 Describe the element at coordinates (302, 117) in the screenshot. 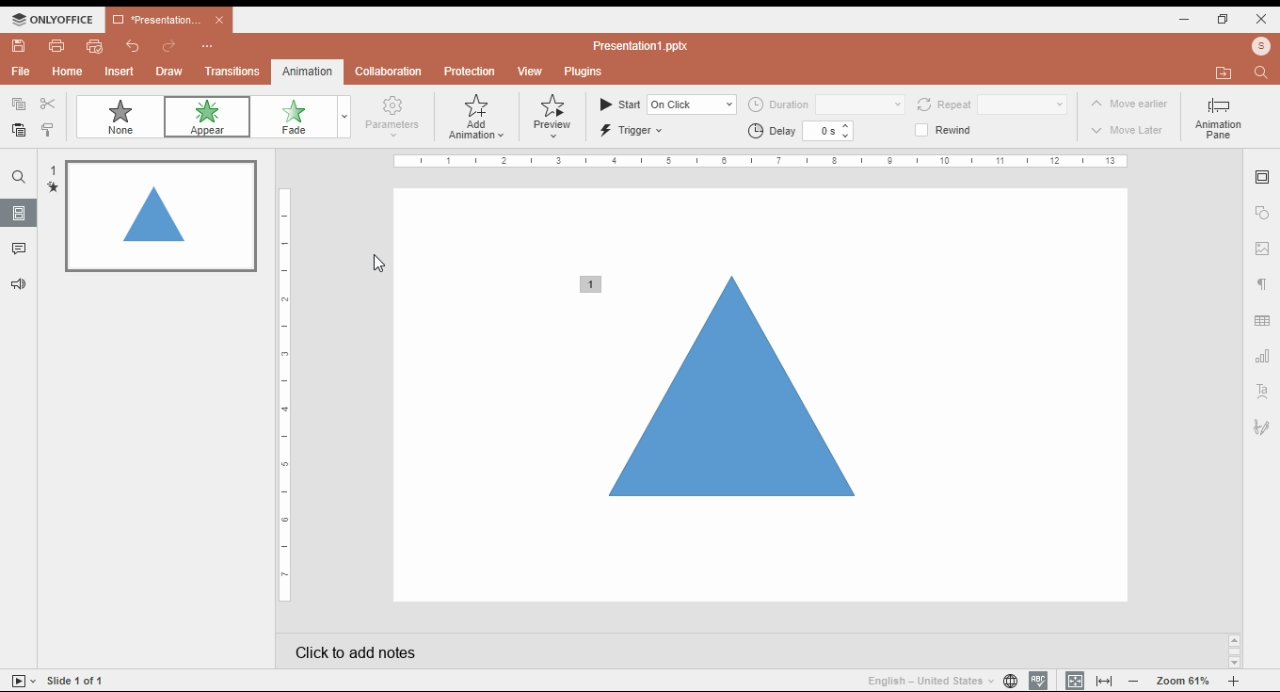

I see `fade` at that location.